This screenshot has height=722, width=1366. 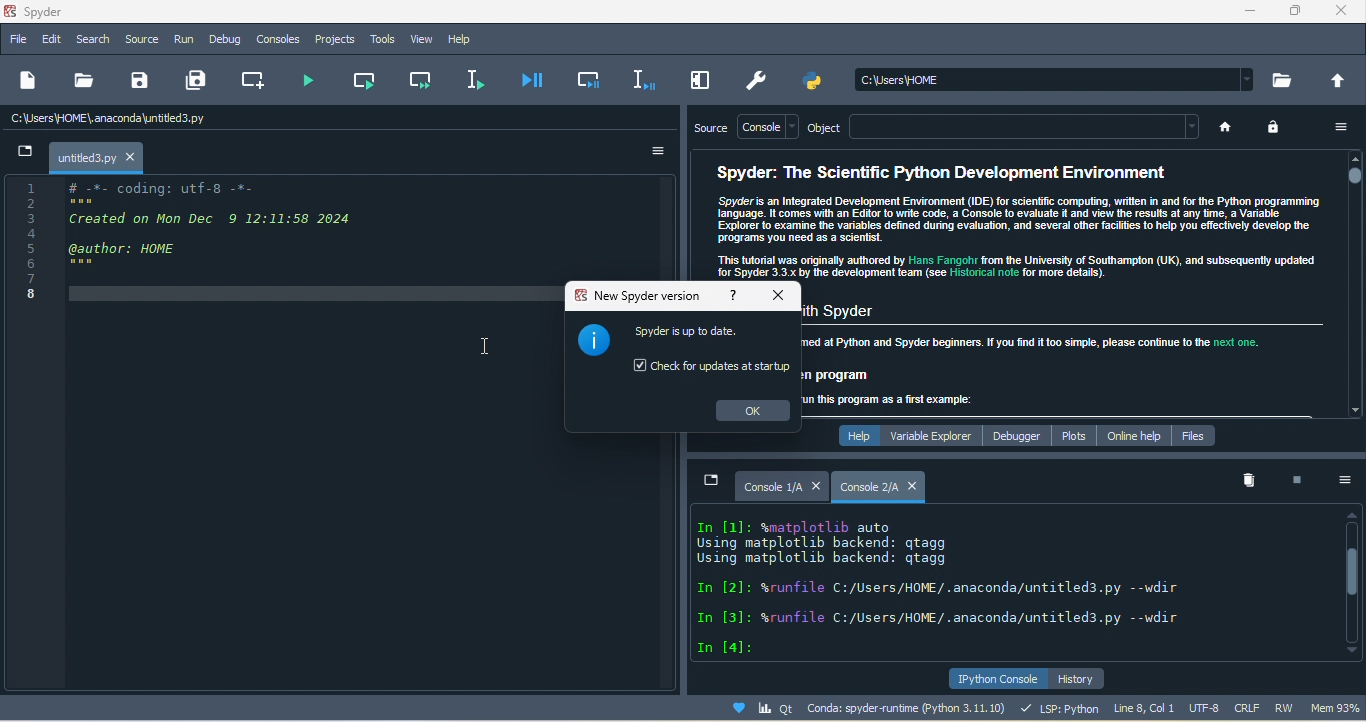 What do you see at coordinates (868, 487) in the screenshot?
I see `console 2/a` at bounding box center [868, 487].